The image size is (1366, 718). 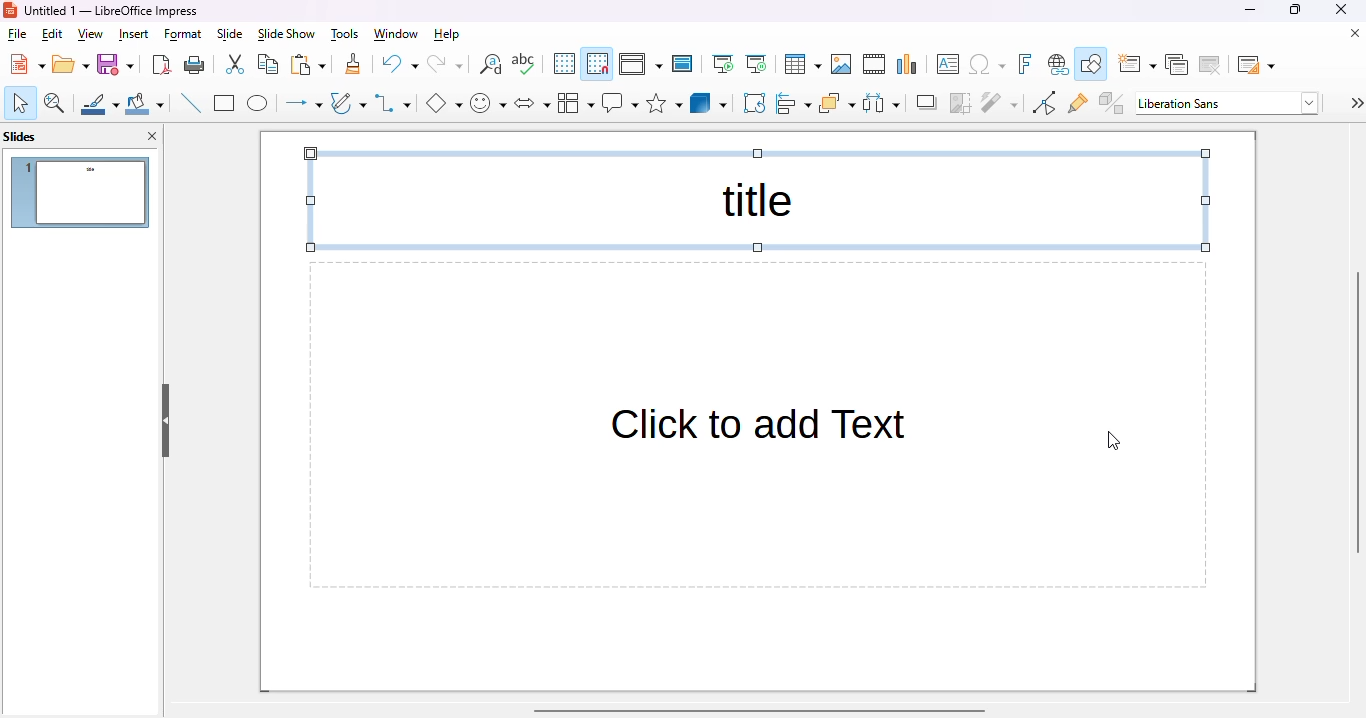 What do you see at coordinates (488, 103) in the screenshot?
I see `symbol shapes` at bounding box center [488, 103].